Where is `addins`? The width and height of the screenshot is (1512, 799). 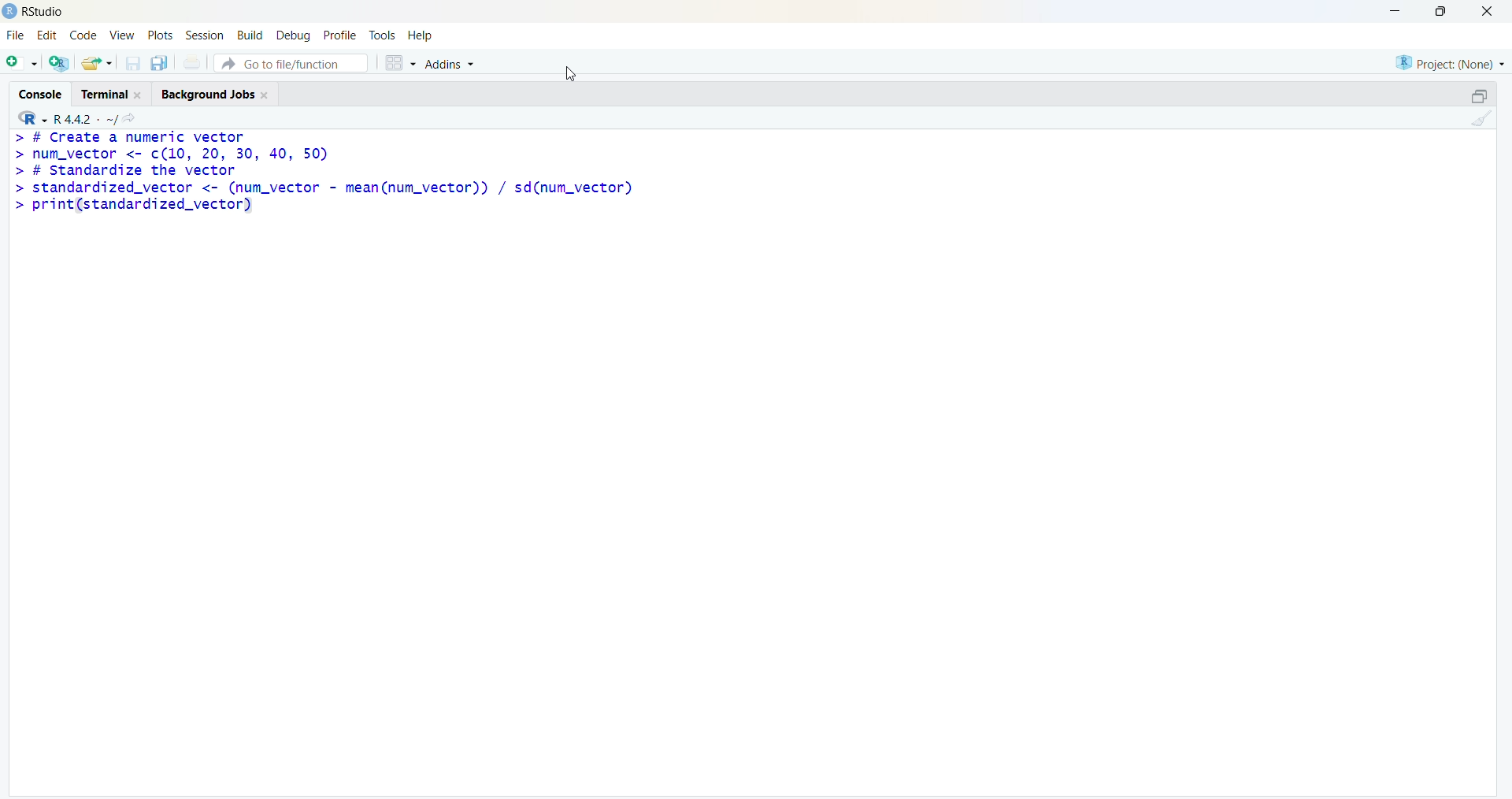 addins is located at coordinates (450, 65).